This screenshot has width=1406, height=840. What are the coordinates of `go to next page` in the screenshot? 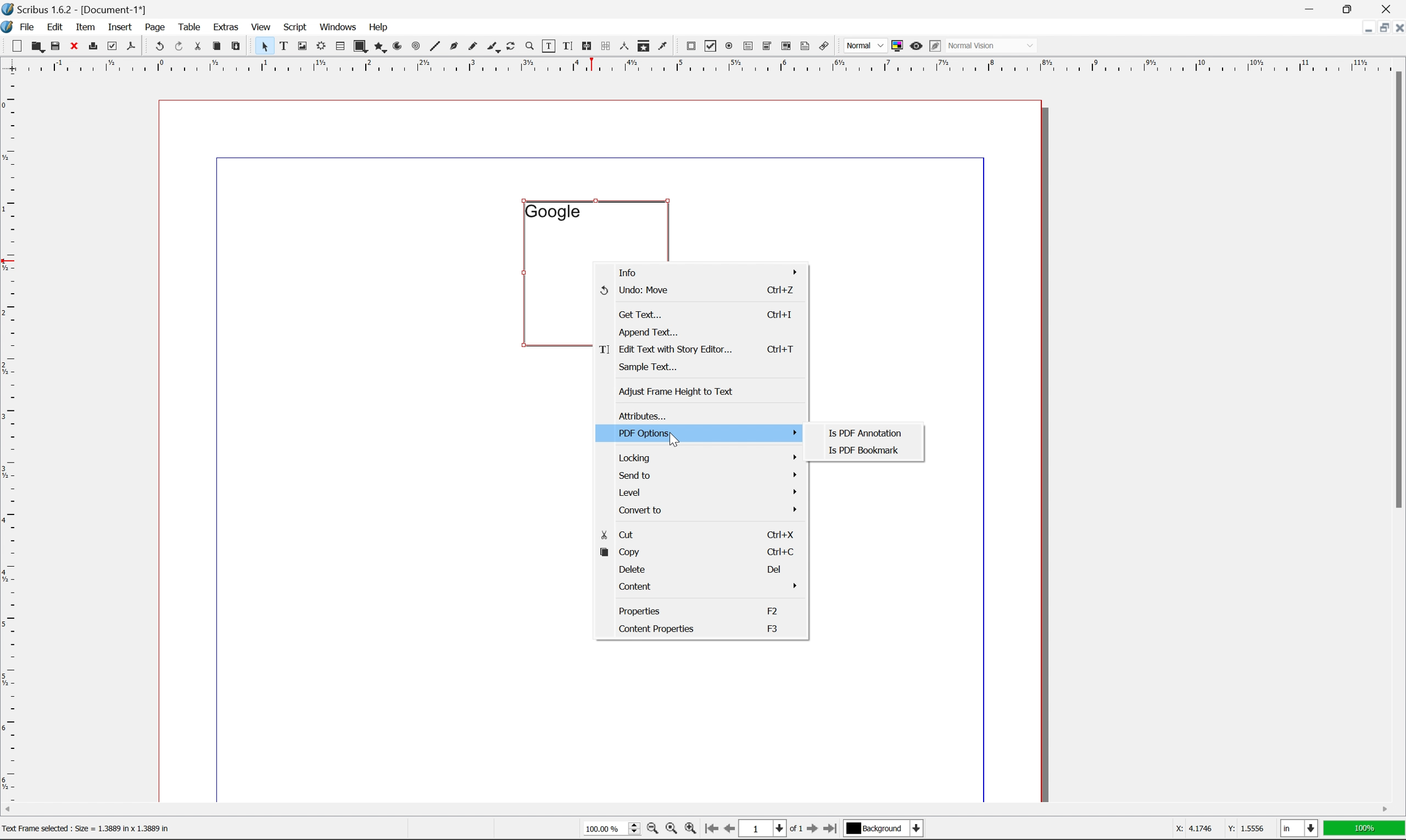 It's located at (809, 830).